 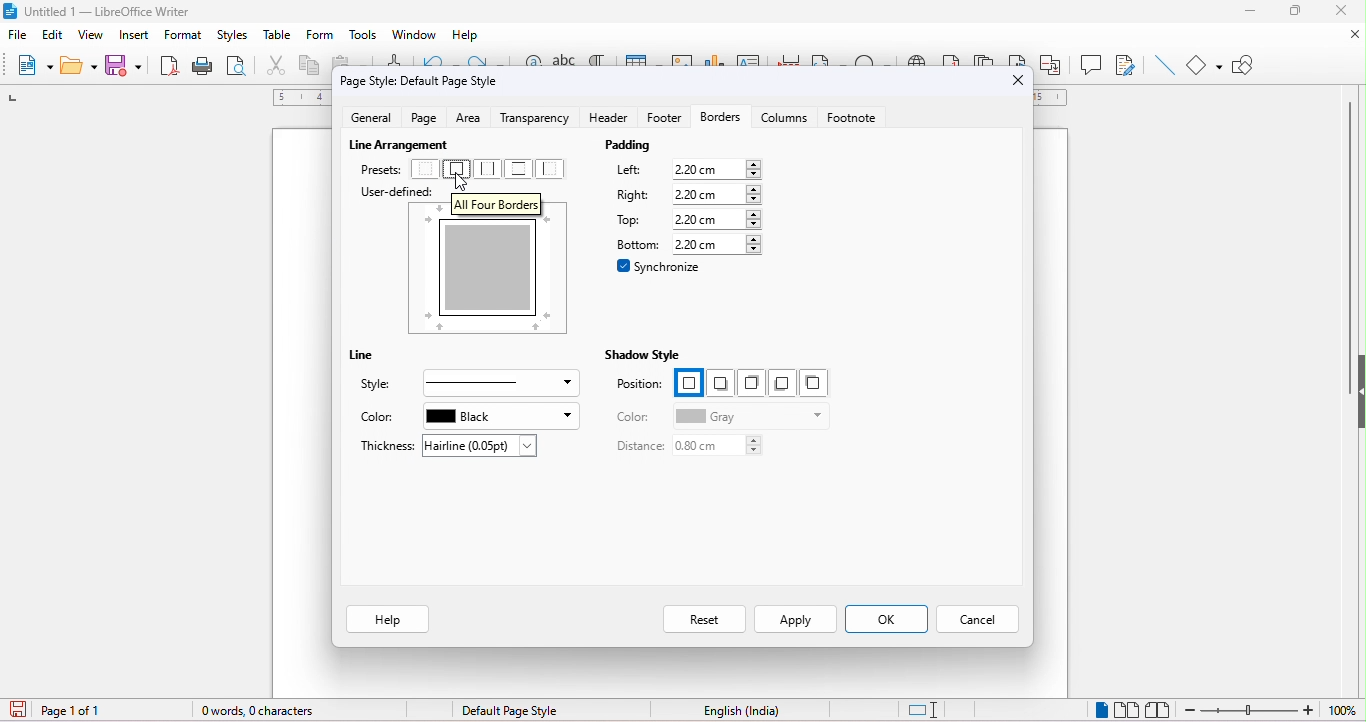 I want to click on 2.20 cm, so click(x=716, y=170).